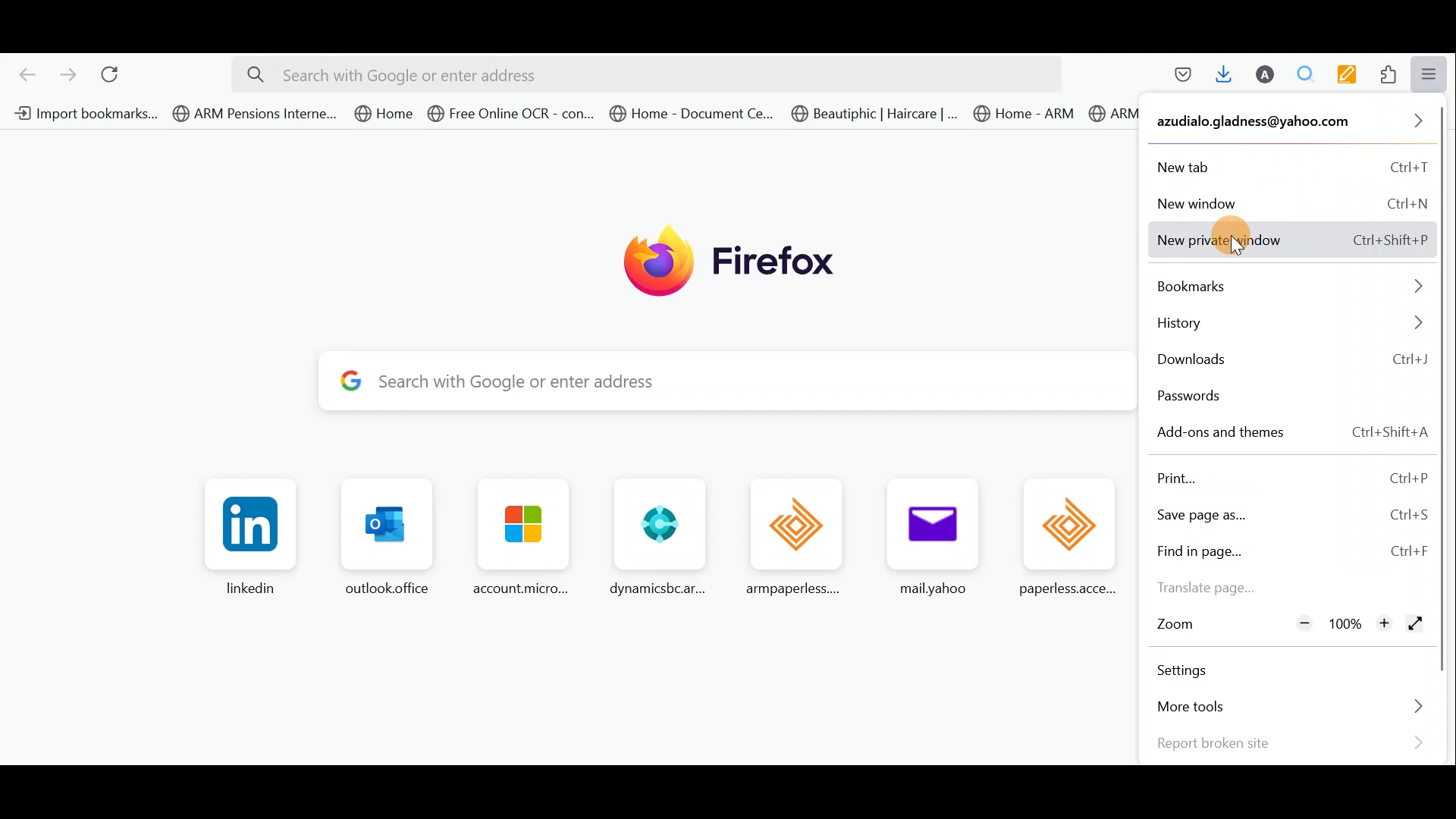 The height and width of the screenshot is (819, 1456). Describe the element at coordinates (1068, 541) in the screenshot. I see `paperless.acce...` at that location.